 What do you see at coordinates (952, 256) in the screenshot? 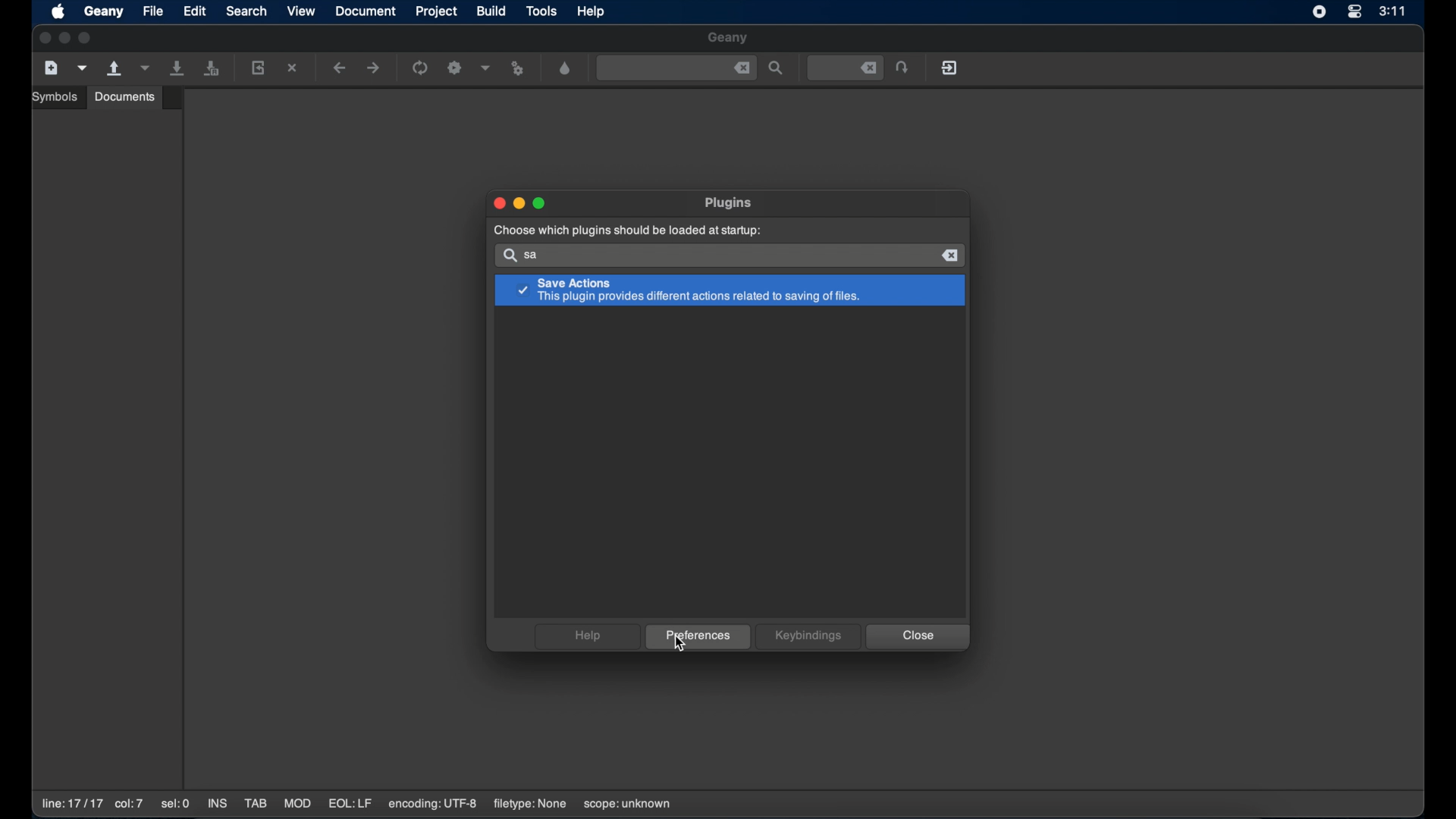
I see `close` at bounding box center [952, 256].